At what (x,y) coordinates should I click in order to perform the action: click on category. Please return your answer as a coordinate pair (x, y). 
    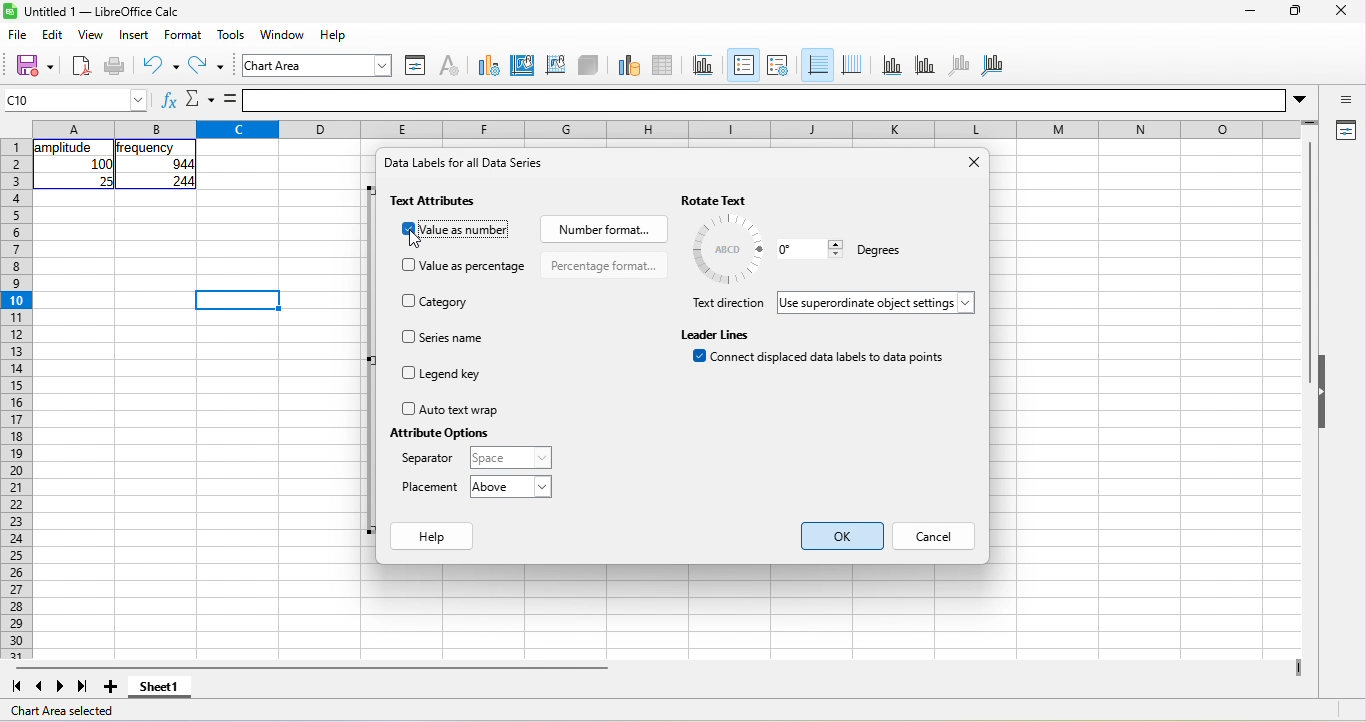
    Looking at the image, I should click on (441, 300).